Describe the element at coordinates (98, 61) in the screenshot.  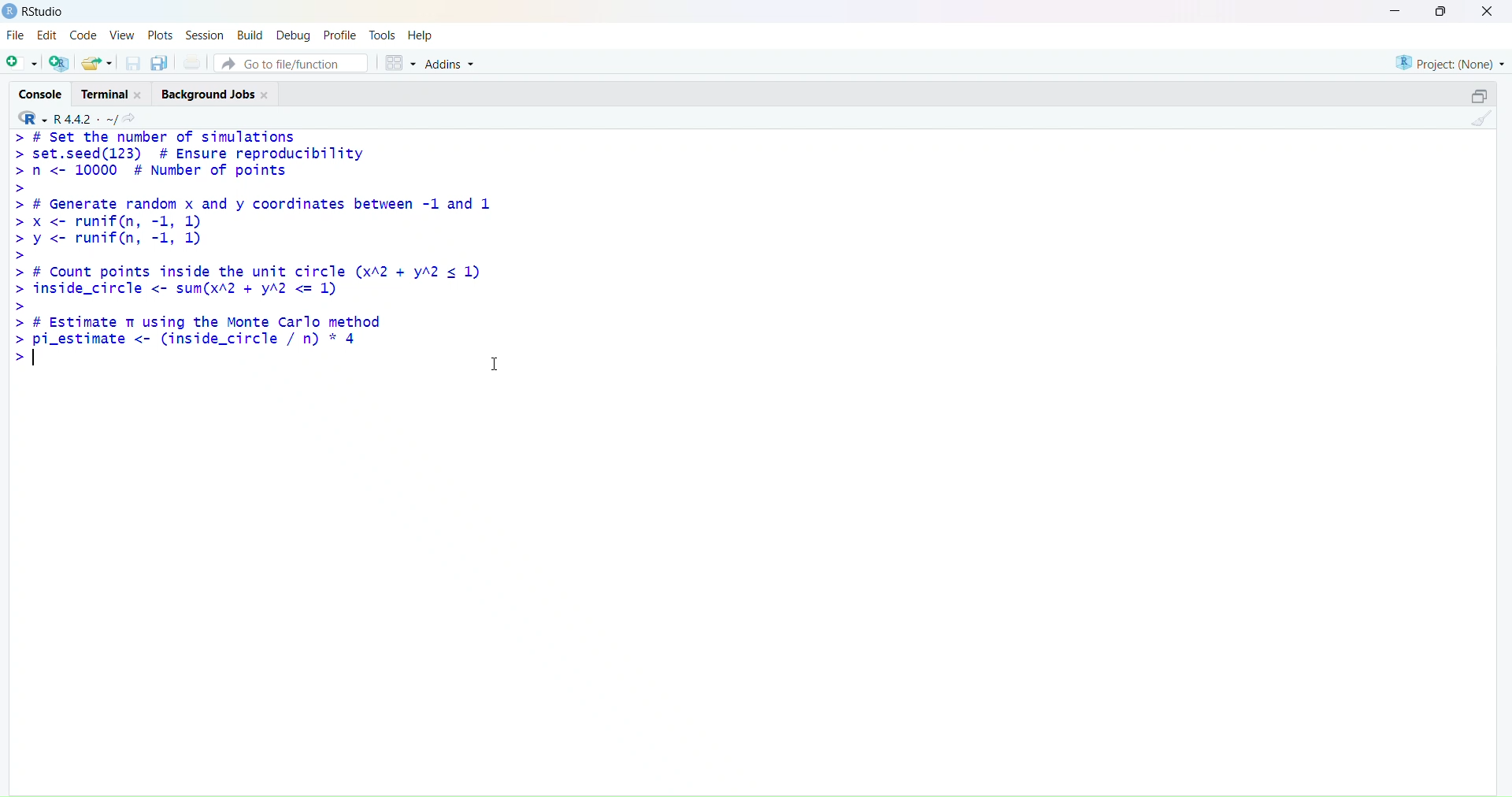
I see `Open an existing file (Ctrl + O)` at that location.